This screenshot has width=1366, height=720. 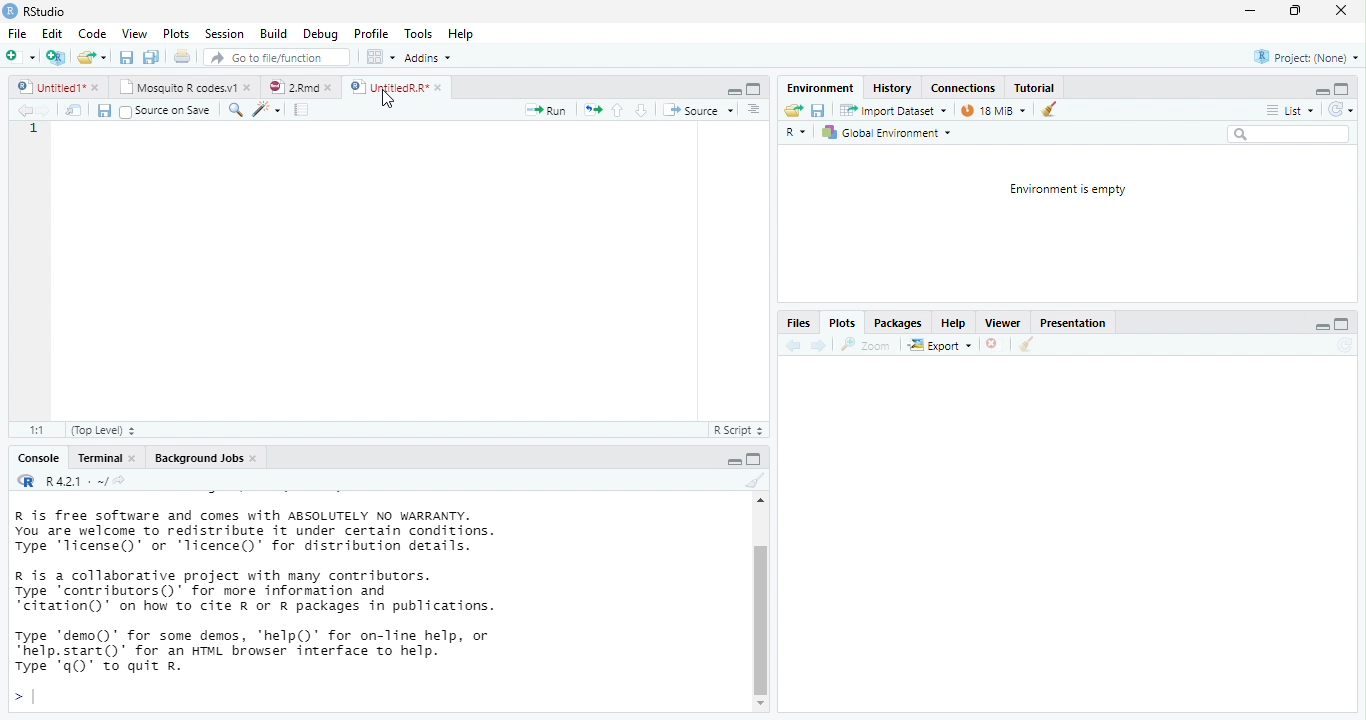 What do you see at coordinates (886, 133) in the screenshot?
I see `Global Environment` at bounding box center [886, 133].